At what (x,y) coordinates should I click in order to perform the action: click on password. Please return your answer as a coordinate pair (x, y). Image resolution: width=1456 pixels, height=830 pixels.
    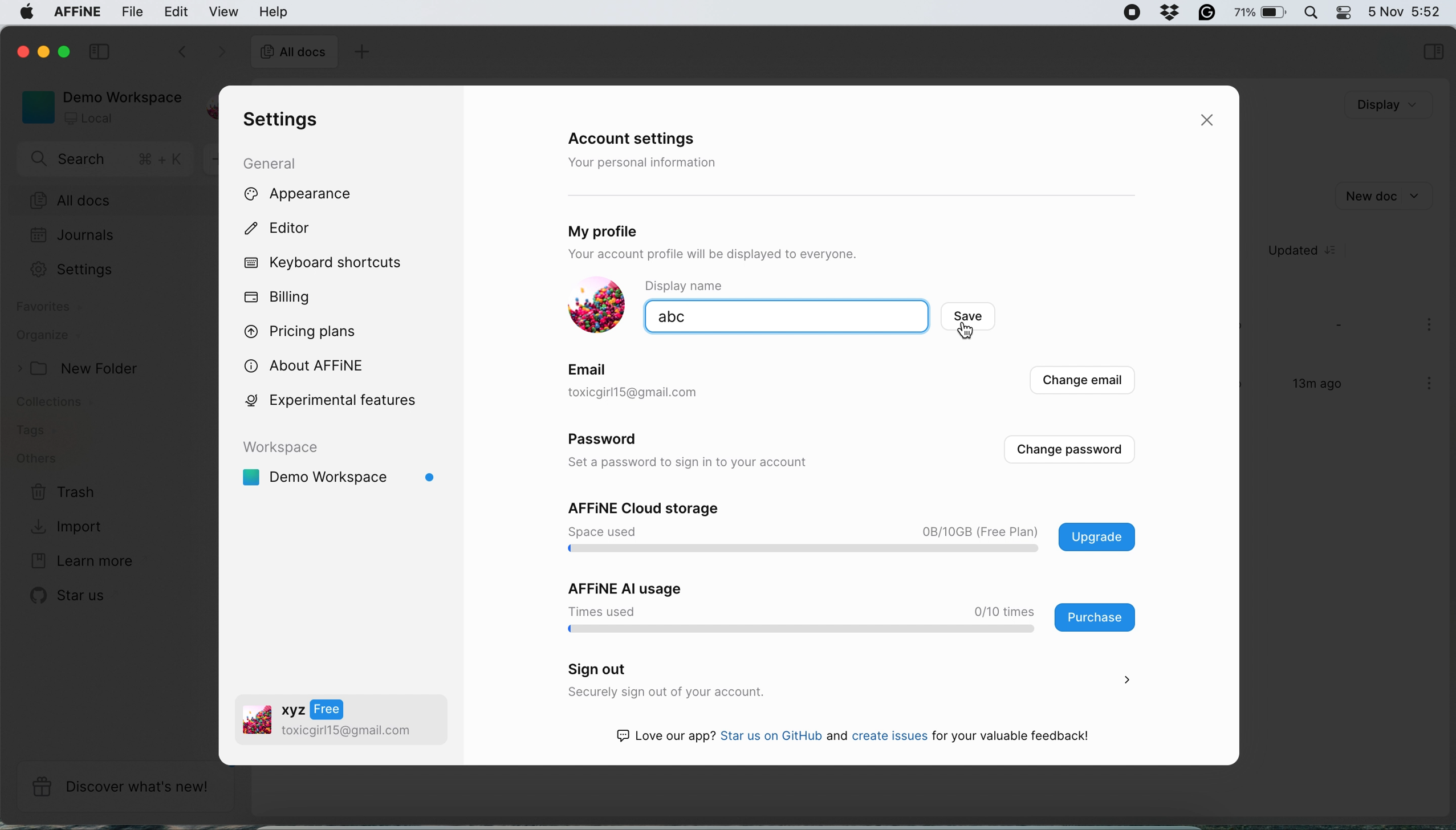
    Looking at the image, I should click on (610, 442).